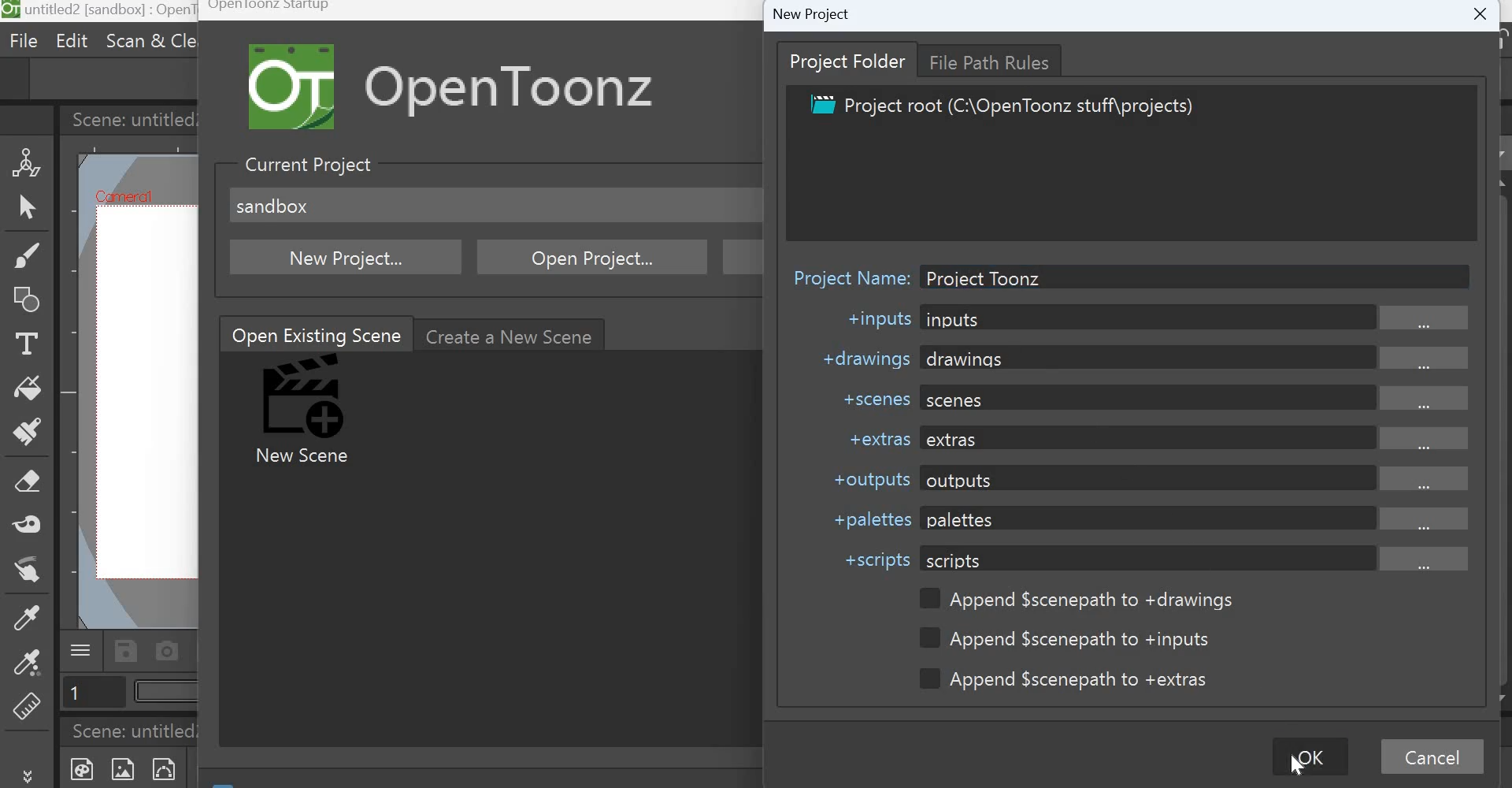  Describe the element at coordinates (120, 195) in the screenshot. I see `Cafniercil` at that location.